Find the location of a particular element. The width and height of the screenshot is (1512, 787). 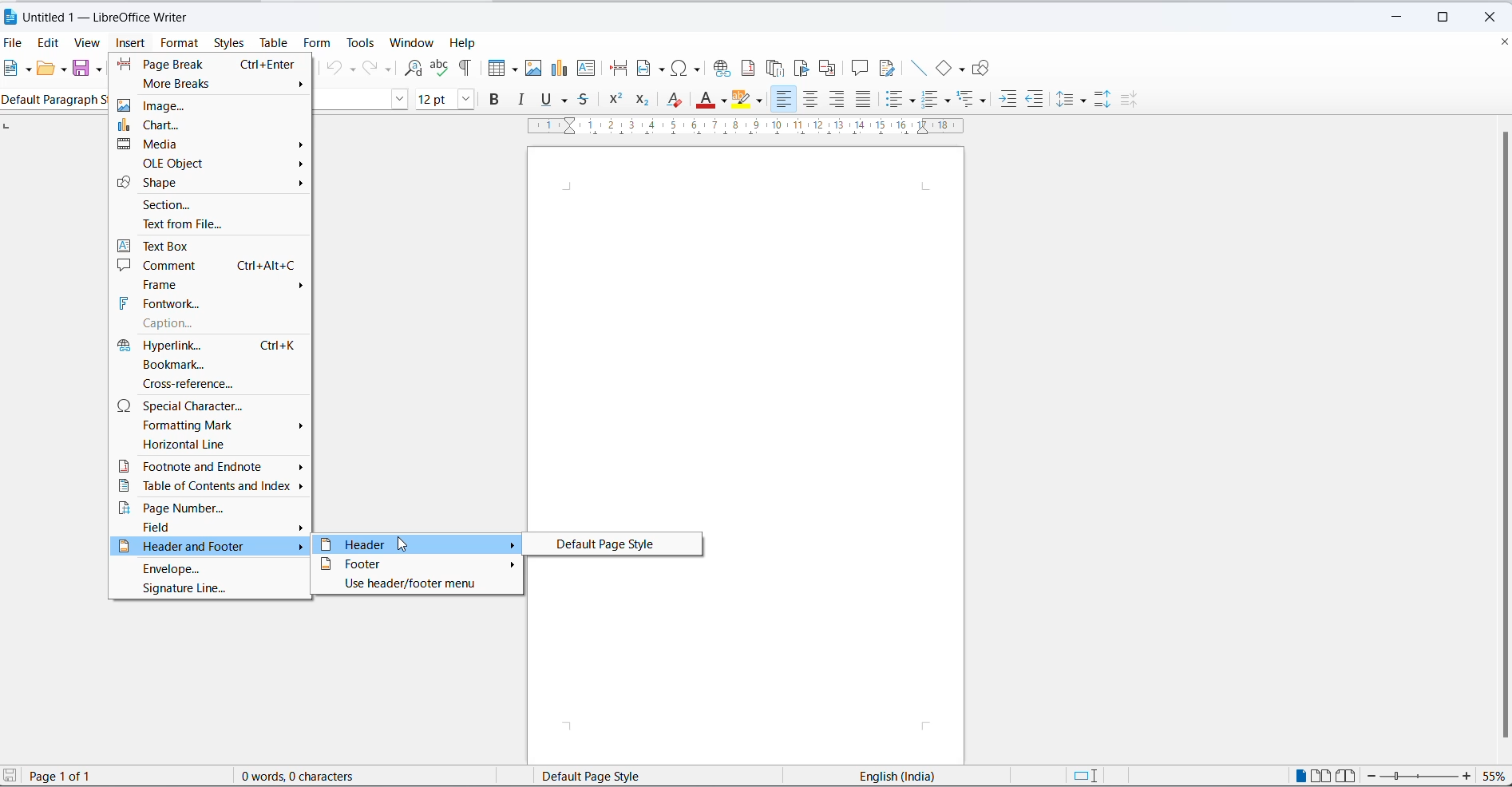

header is located at coordinates (414, 544).